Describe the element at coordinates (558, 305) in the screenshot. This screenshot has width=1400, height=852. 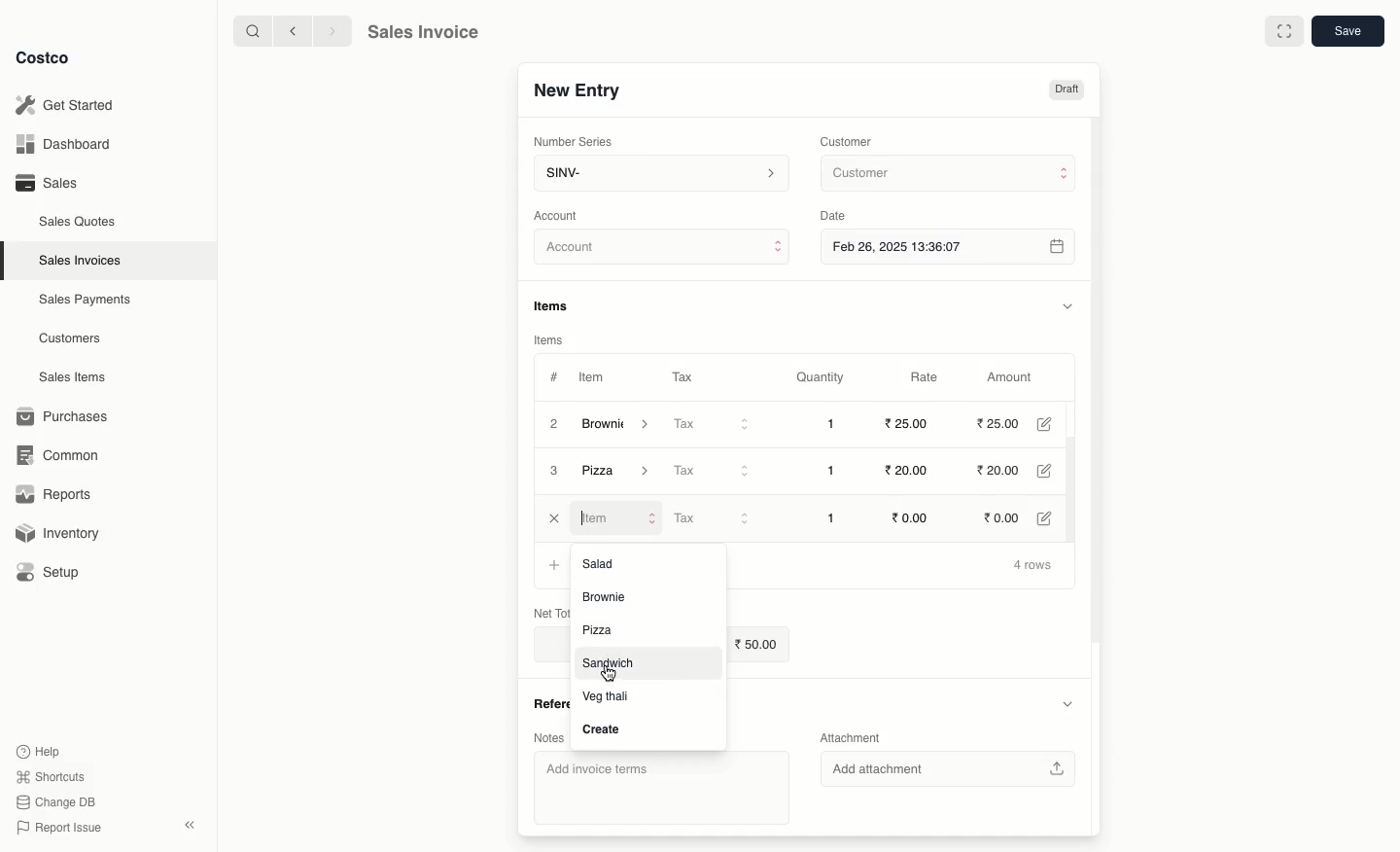
I see `Items` at that location.